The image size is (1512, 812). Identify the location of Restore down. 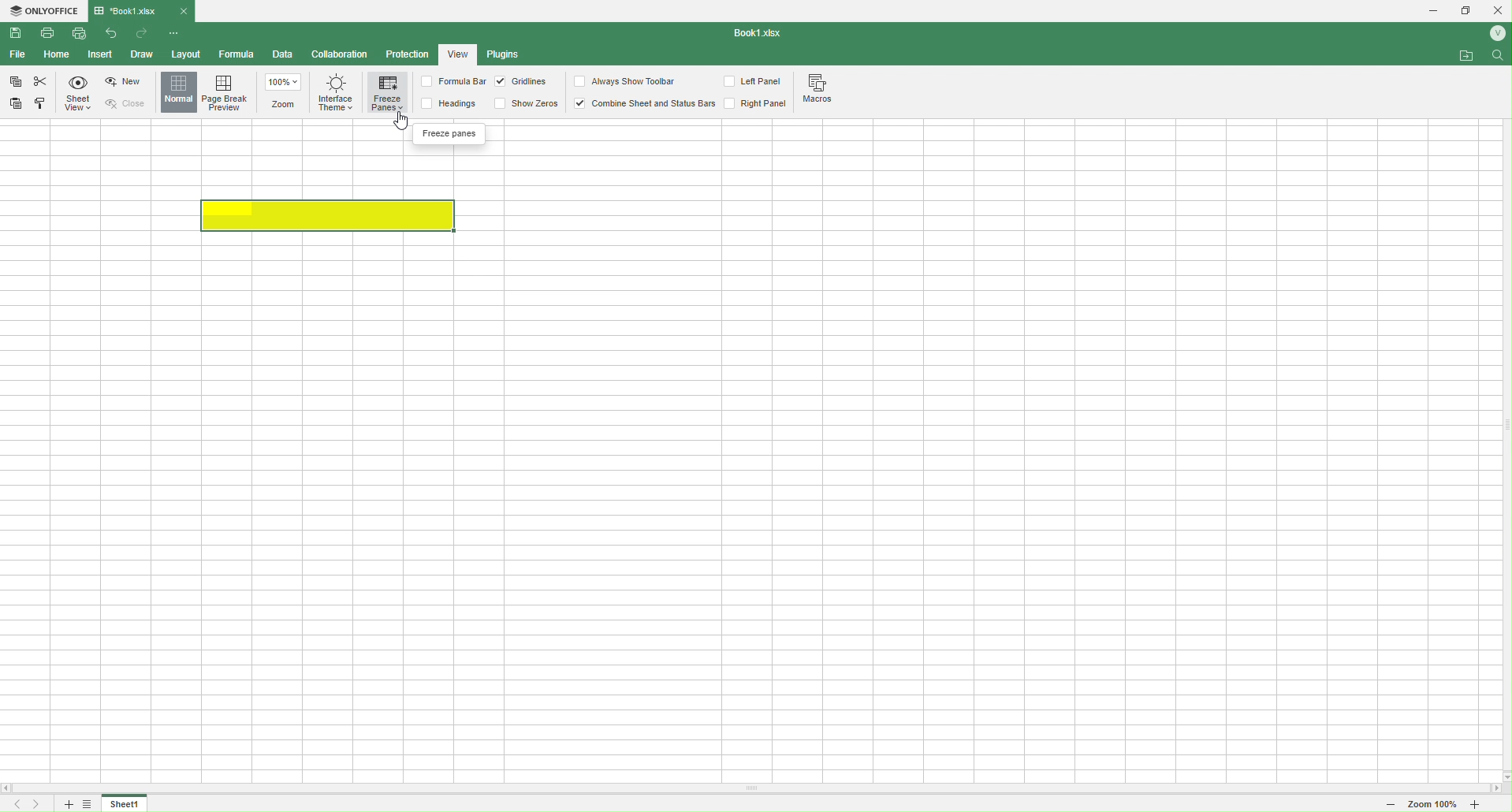
(1466, 12).